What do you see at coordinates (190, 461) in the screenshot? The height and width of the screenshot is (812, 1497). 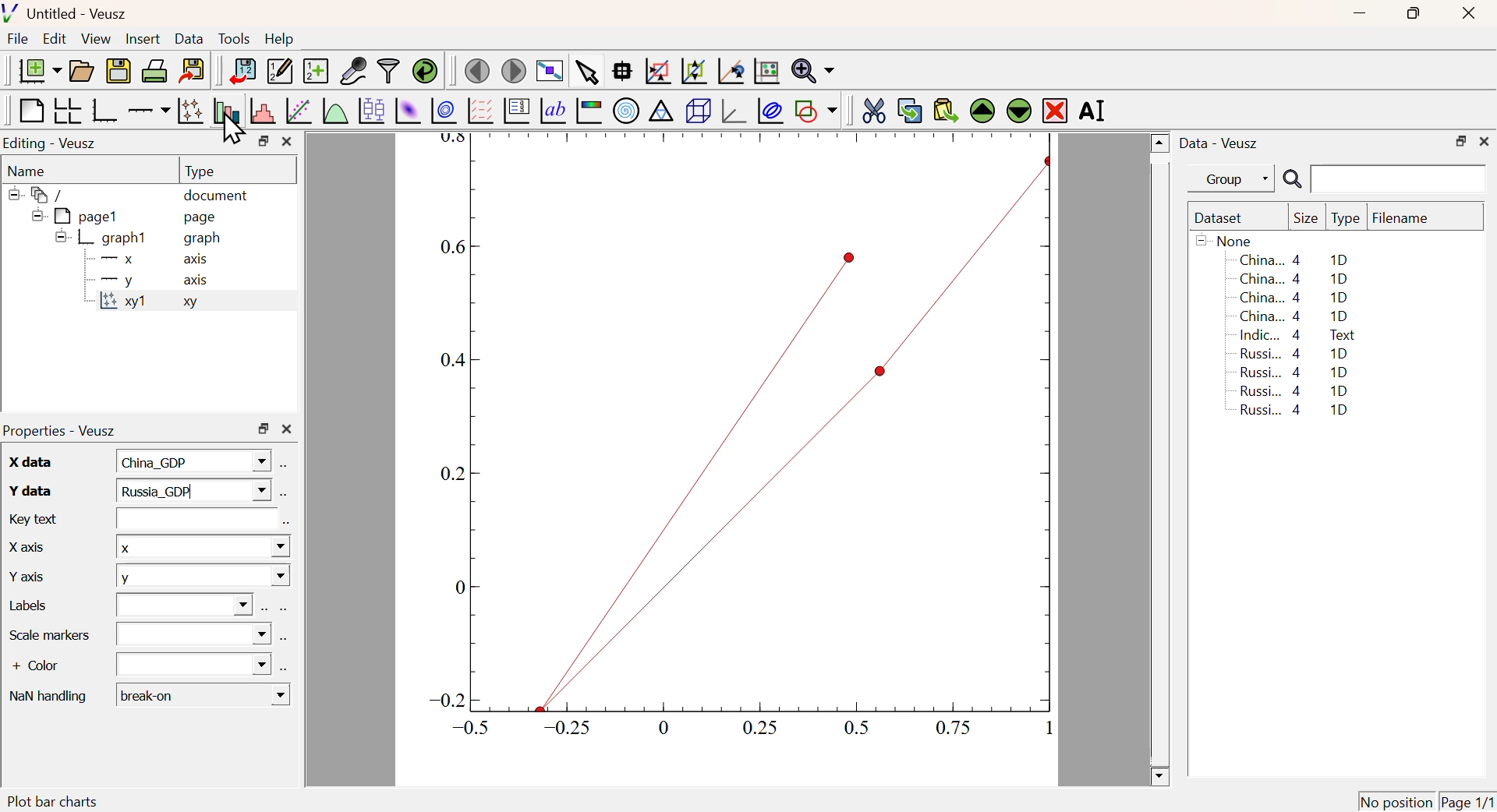 I see `China_GDP` at bounding box center [190, 461].